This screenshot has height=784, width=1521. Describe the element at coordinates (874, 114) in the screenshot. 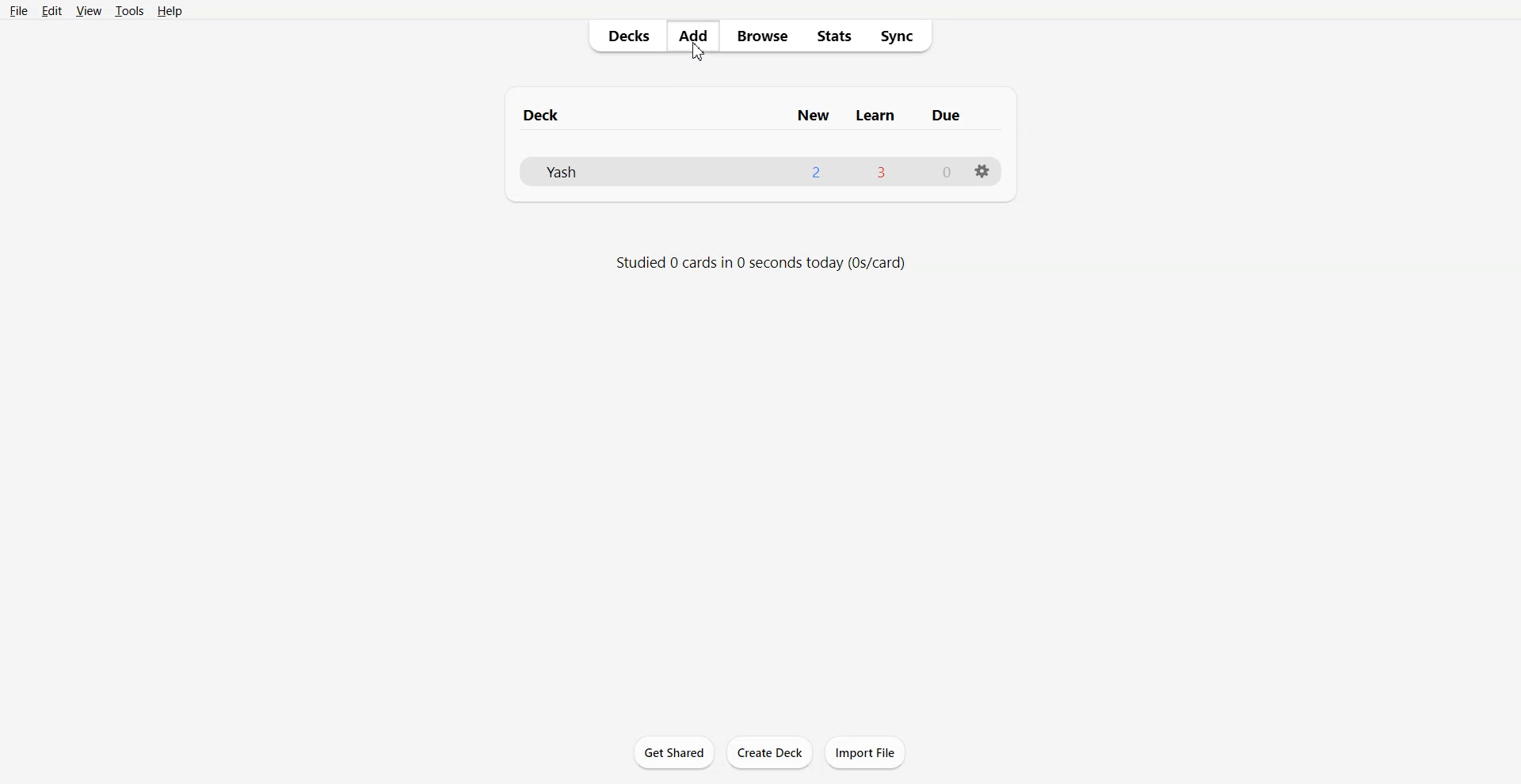

I see `Learn` at that location.